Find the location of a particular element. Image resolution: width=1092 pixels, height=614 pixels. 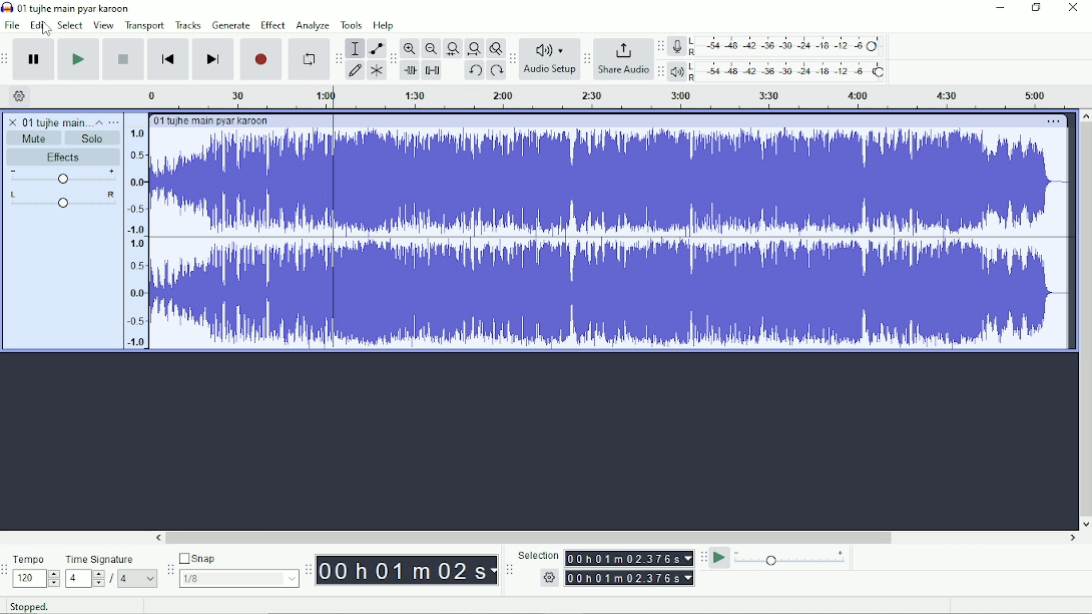

Time signature is located at coordinates (112, 569).